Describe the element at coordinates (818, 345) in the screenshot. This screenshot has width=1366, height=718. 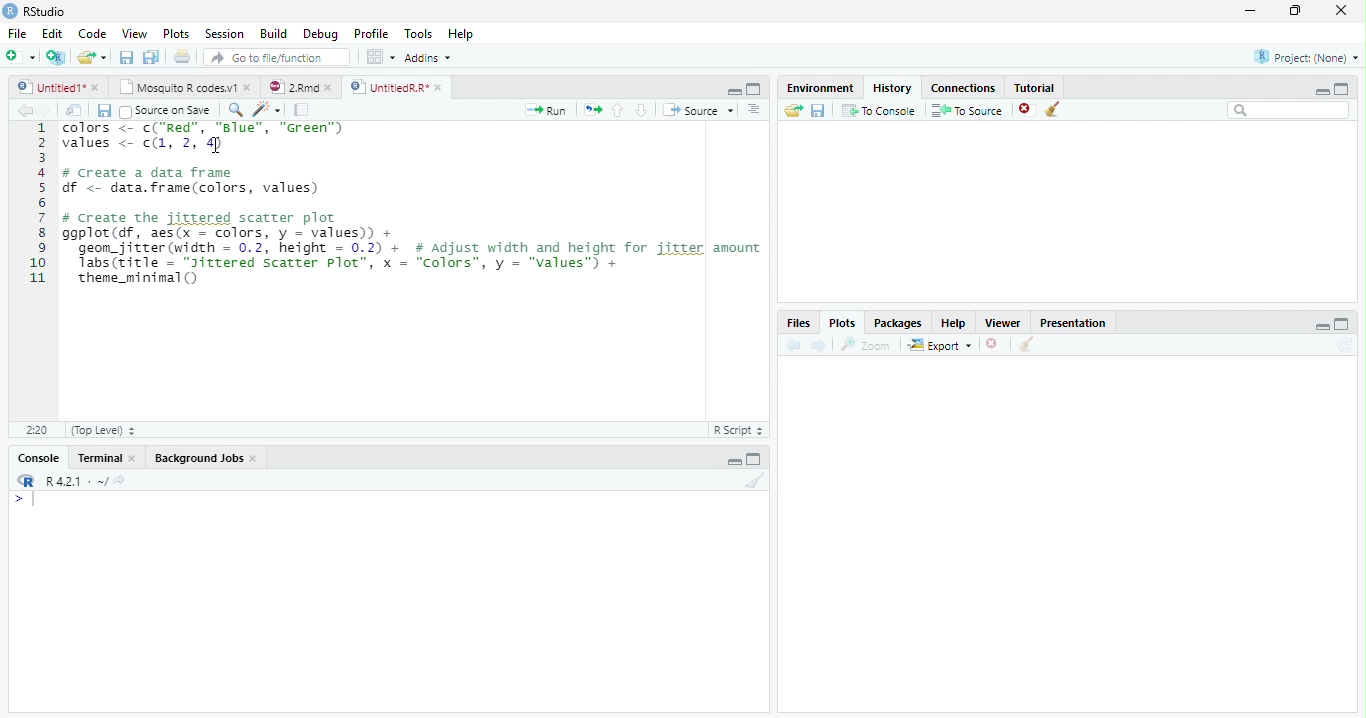
I see `Next plot` at that location.